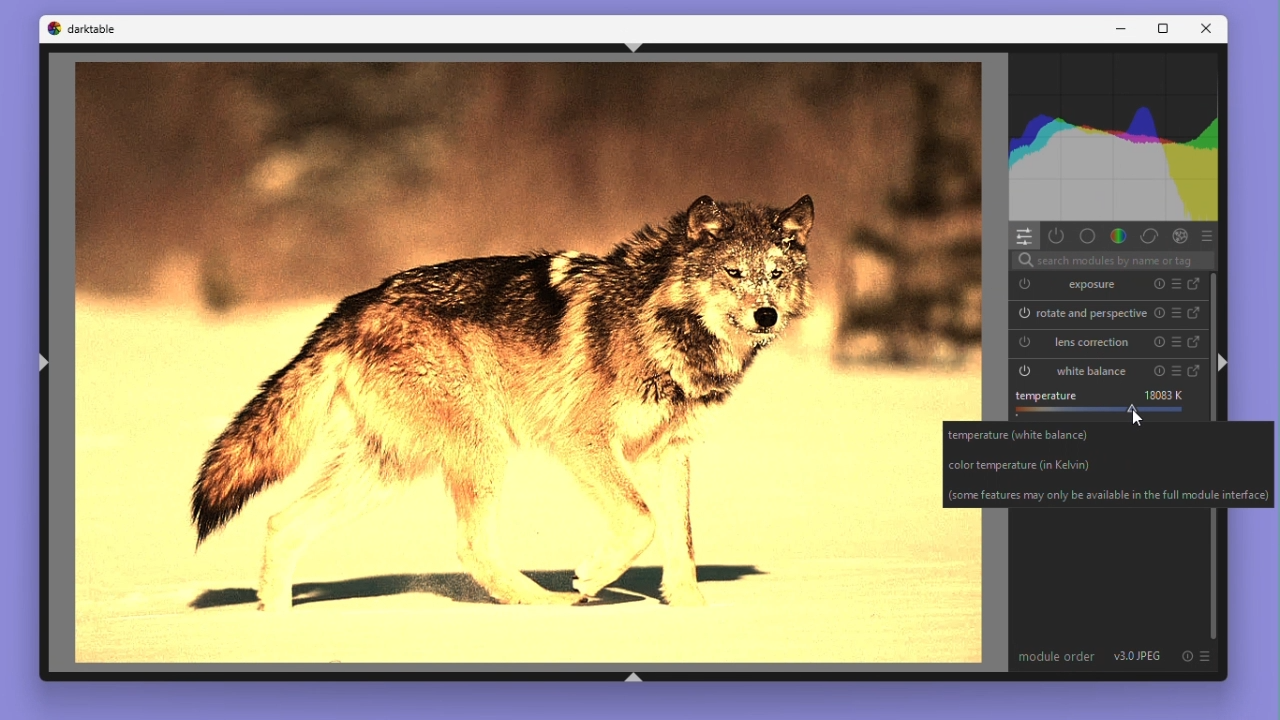  Describe the element at coordinates (1178, 285) in the screenshot. I see `Preset` at that location.